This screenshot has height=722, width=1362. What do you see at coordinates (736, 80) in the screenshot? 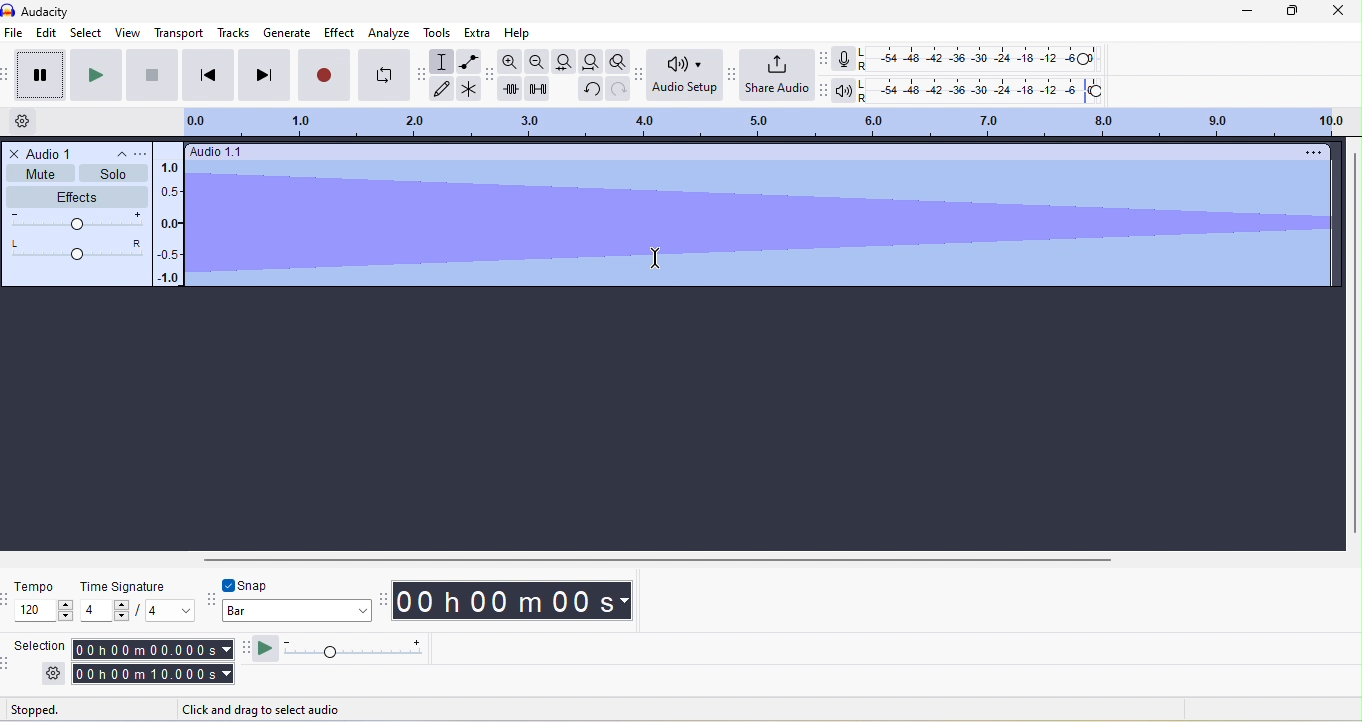
I see `audacity share audio toolbar` at bounding box center [736, 80].